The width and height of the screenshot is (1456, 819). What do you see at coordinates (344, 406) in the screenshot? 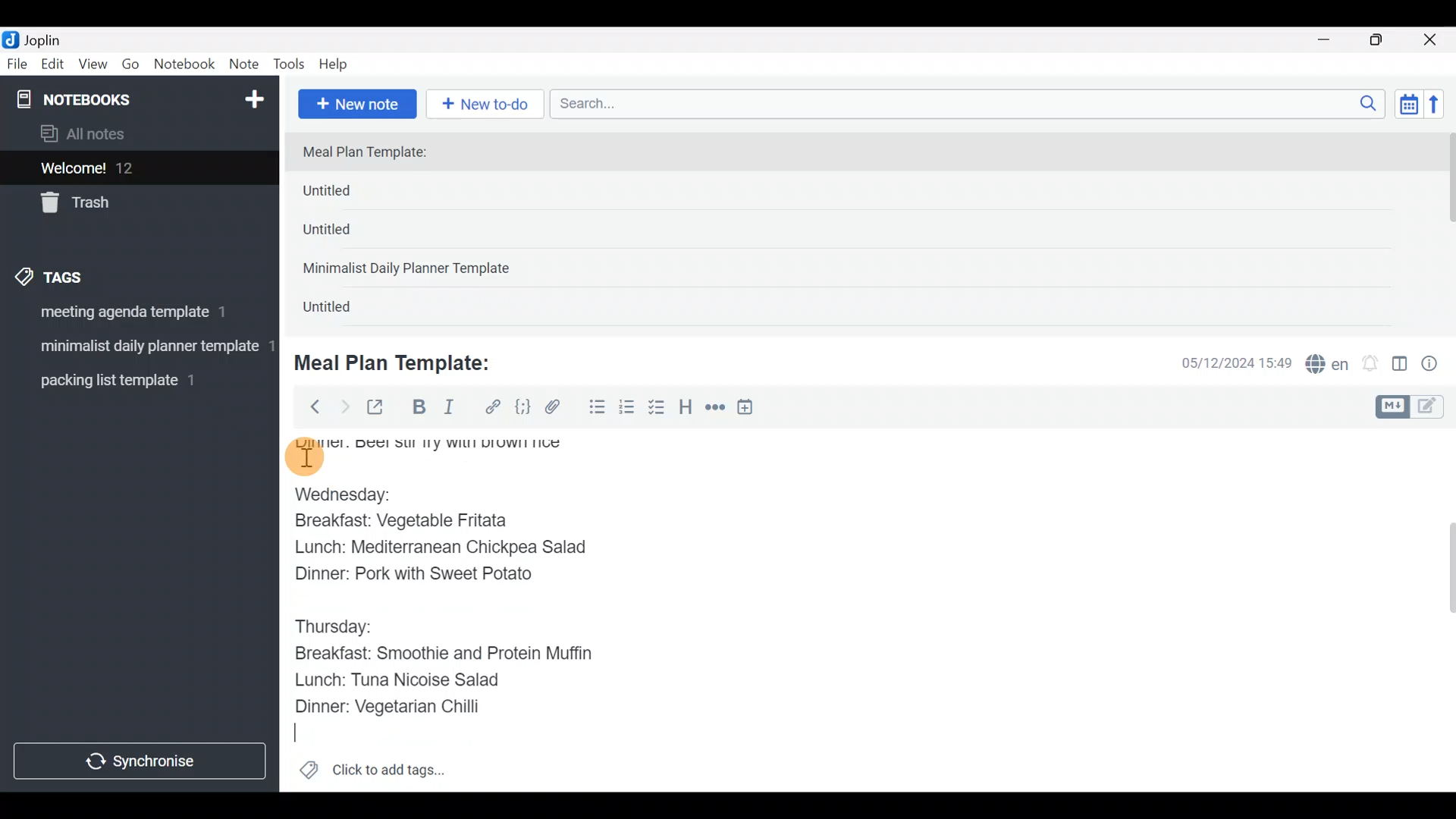
I see `Forward` at bounding box center [344, 406].